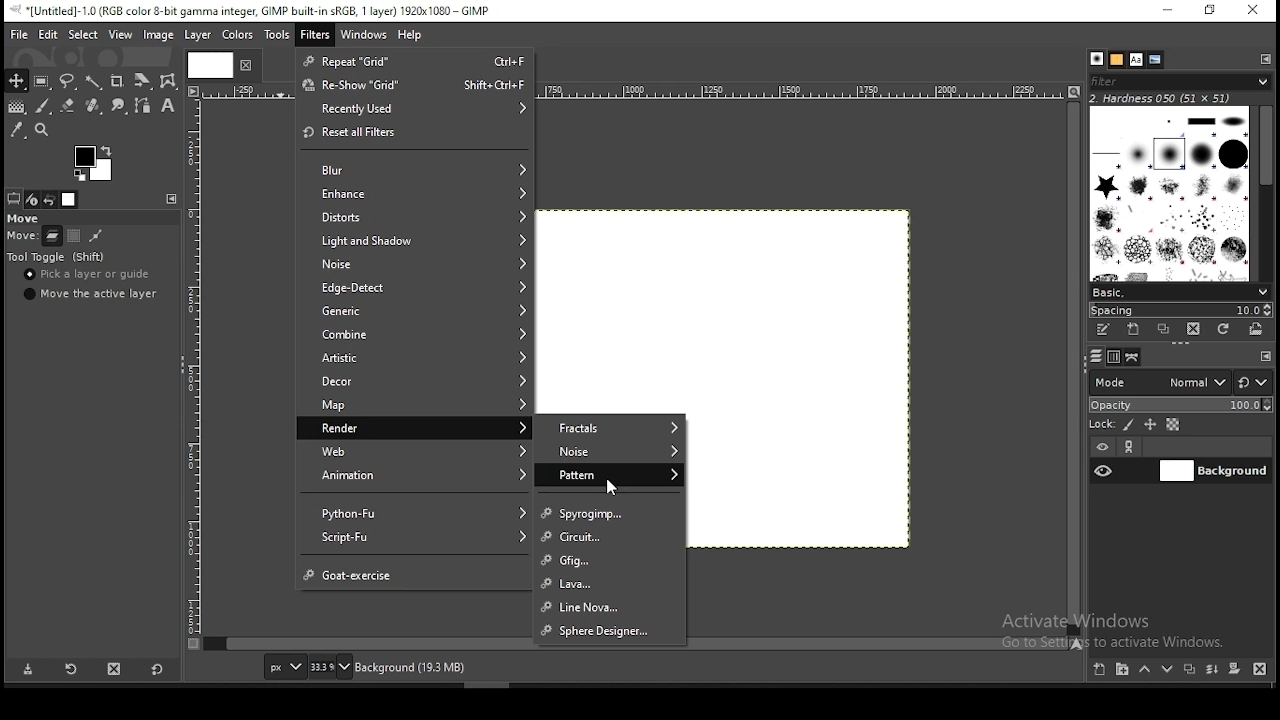 Image resolution: width=1280 pixels, height=720 pixels. What do you see at coordinates (19, 237) in the screenshot?
I see `move` at bounding box center [19, 237].